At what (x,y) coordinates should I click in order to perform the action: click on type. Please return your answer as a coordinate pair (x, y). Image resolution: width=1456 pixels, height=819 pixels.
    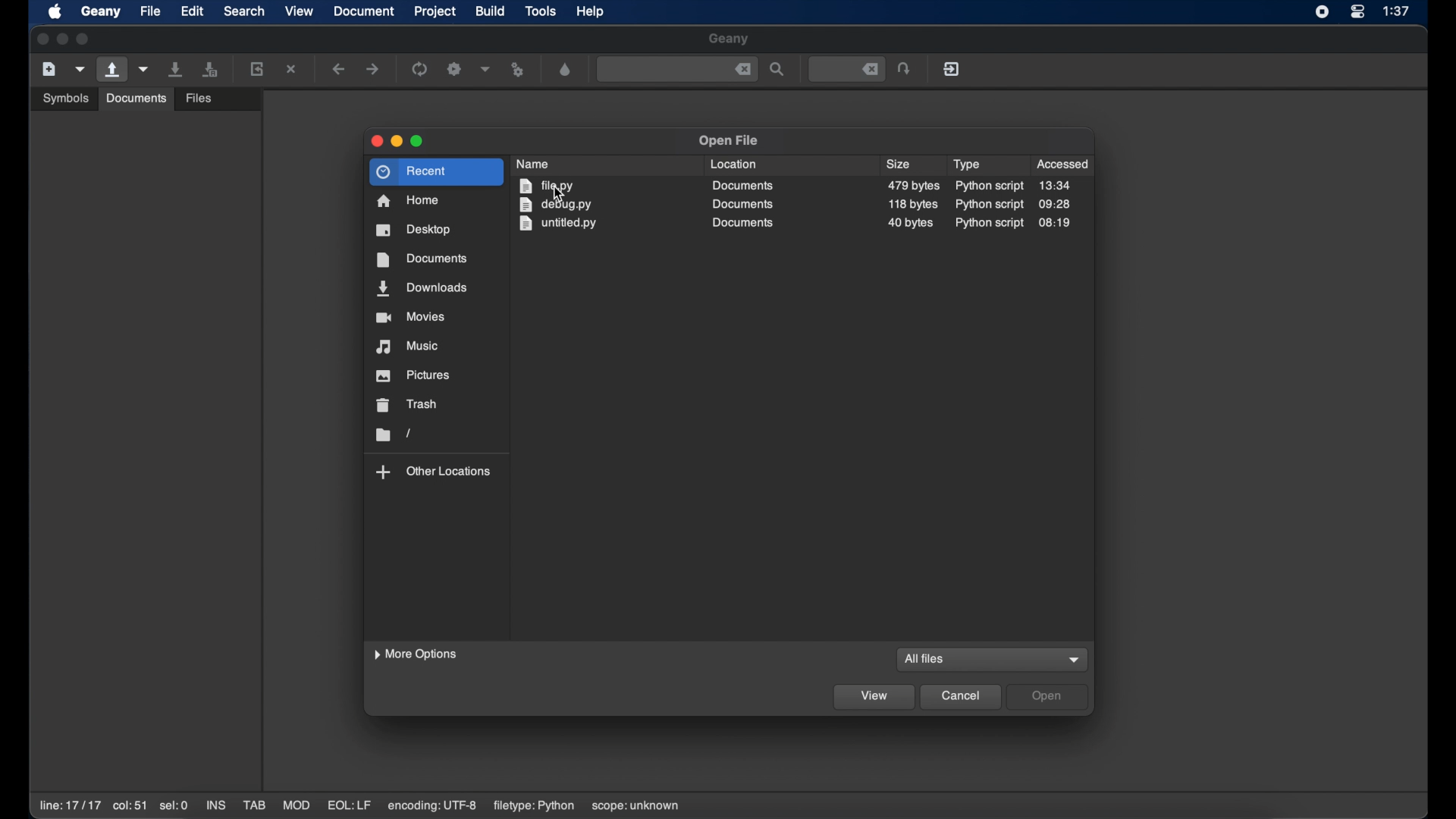
    Looking at the image, I should click on (966, 165).